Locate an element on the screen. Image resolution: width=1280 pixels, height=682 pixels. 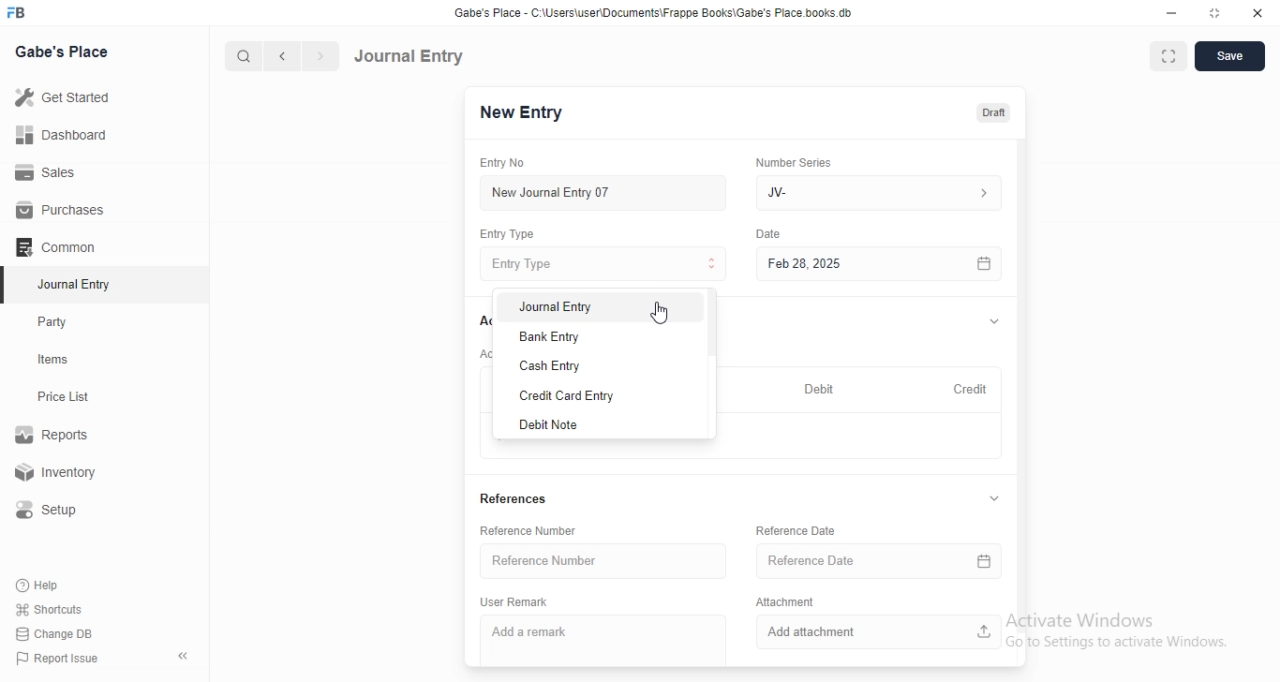
Reports. is located at coordinates (55, 438).